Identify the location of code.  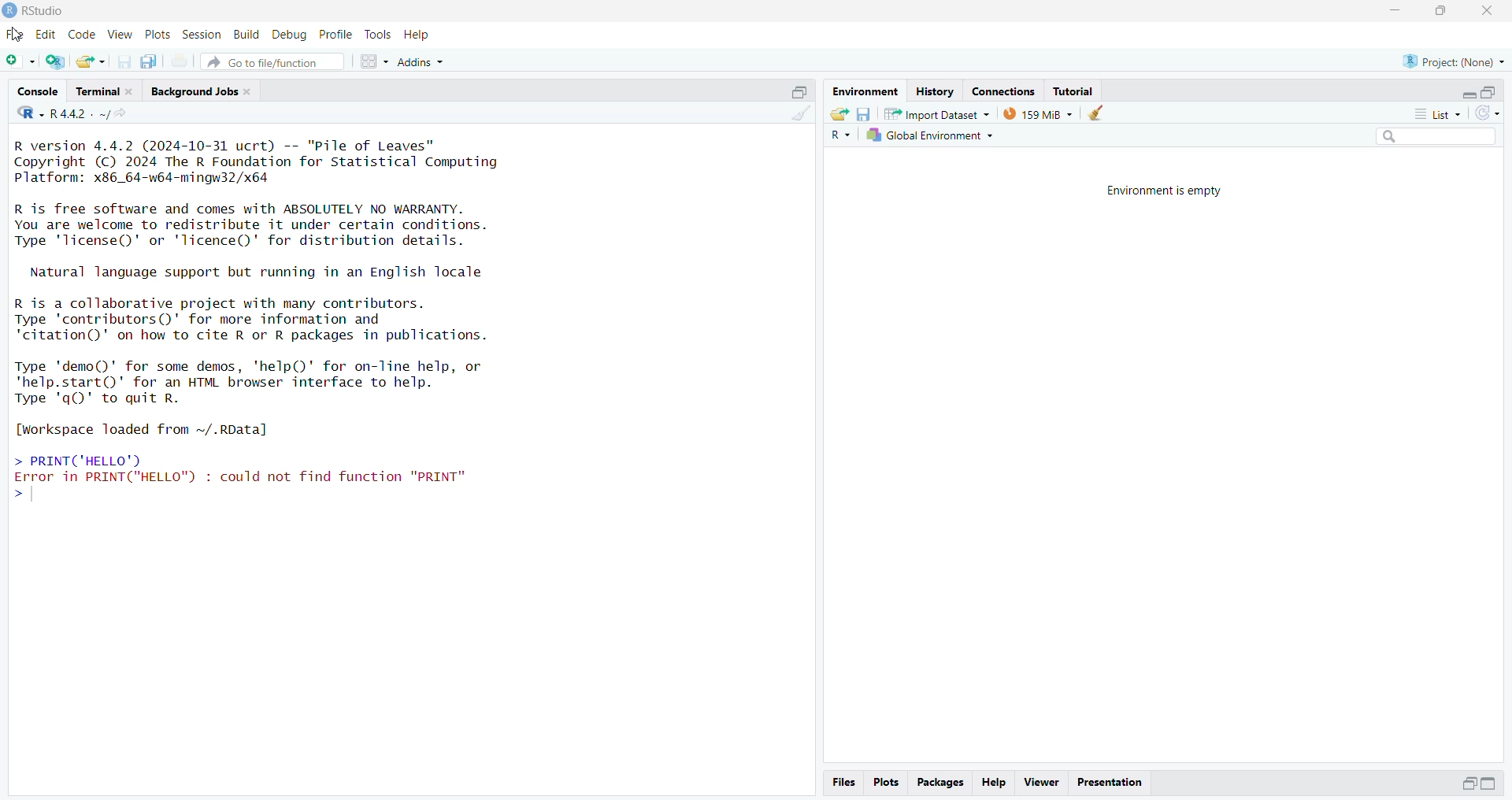
(83, 34).